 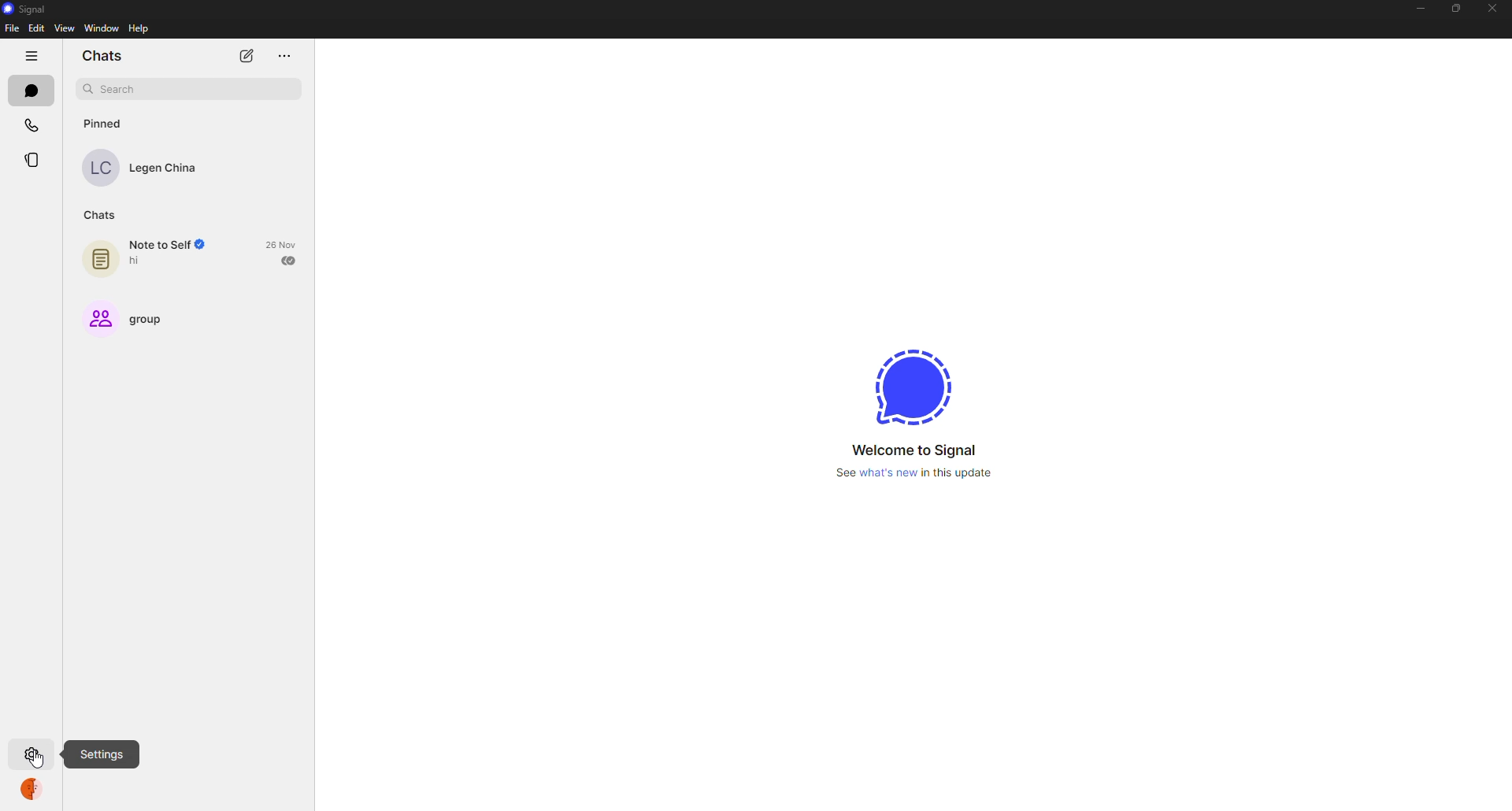 What do you see at coordinates (39, 758) in the screenshot?
I see `cursor` at bounding box center [39, 758].